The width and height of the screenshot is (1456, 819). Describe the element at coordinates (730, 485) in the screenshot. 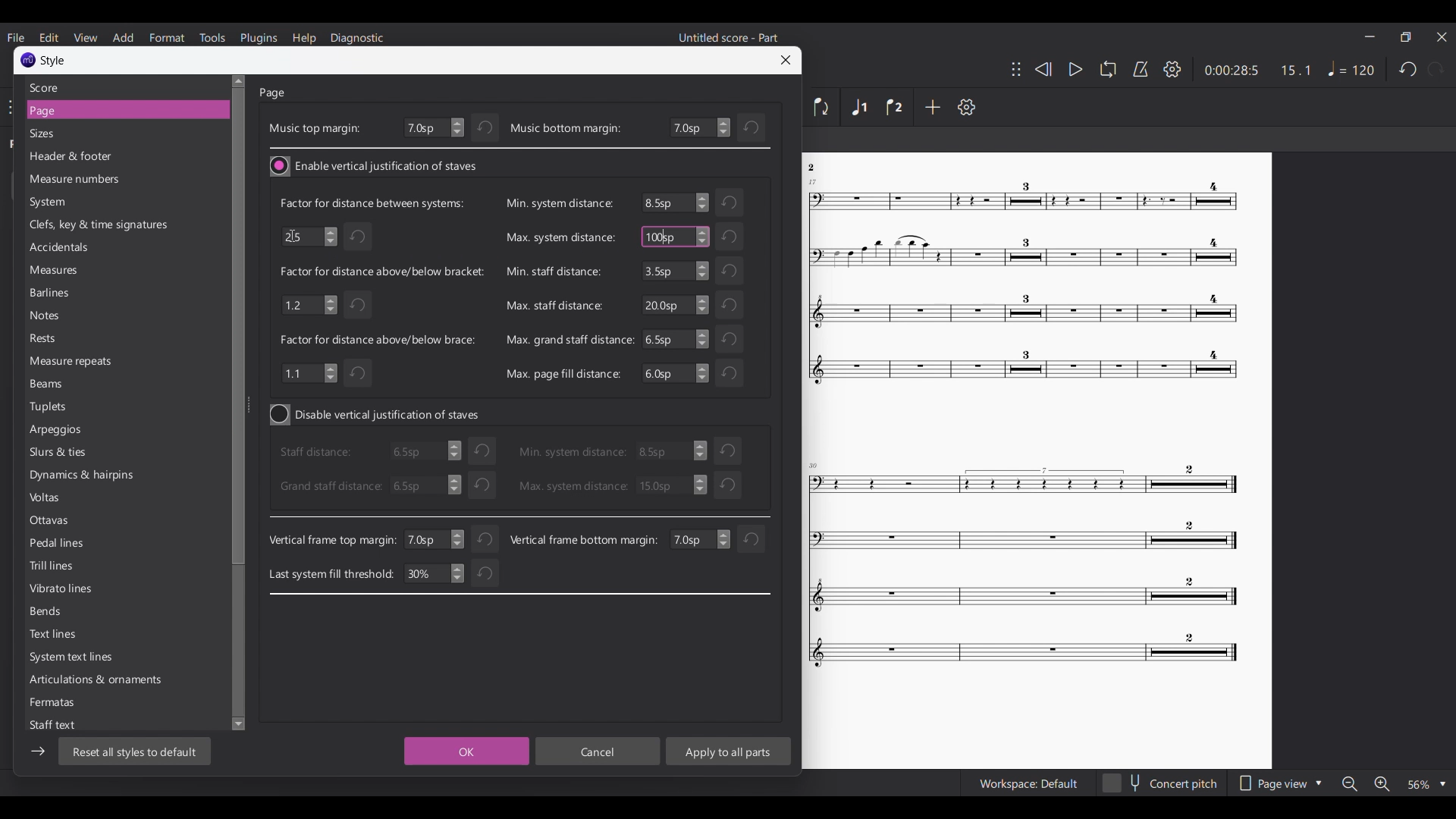

I see `Undo` at that location.